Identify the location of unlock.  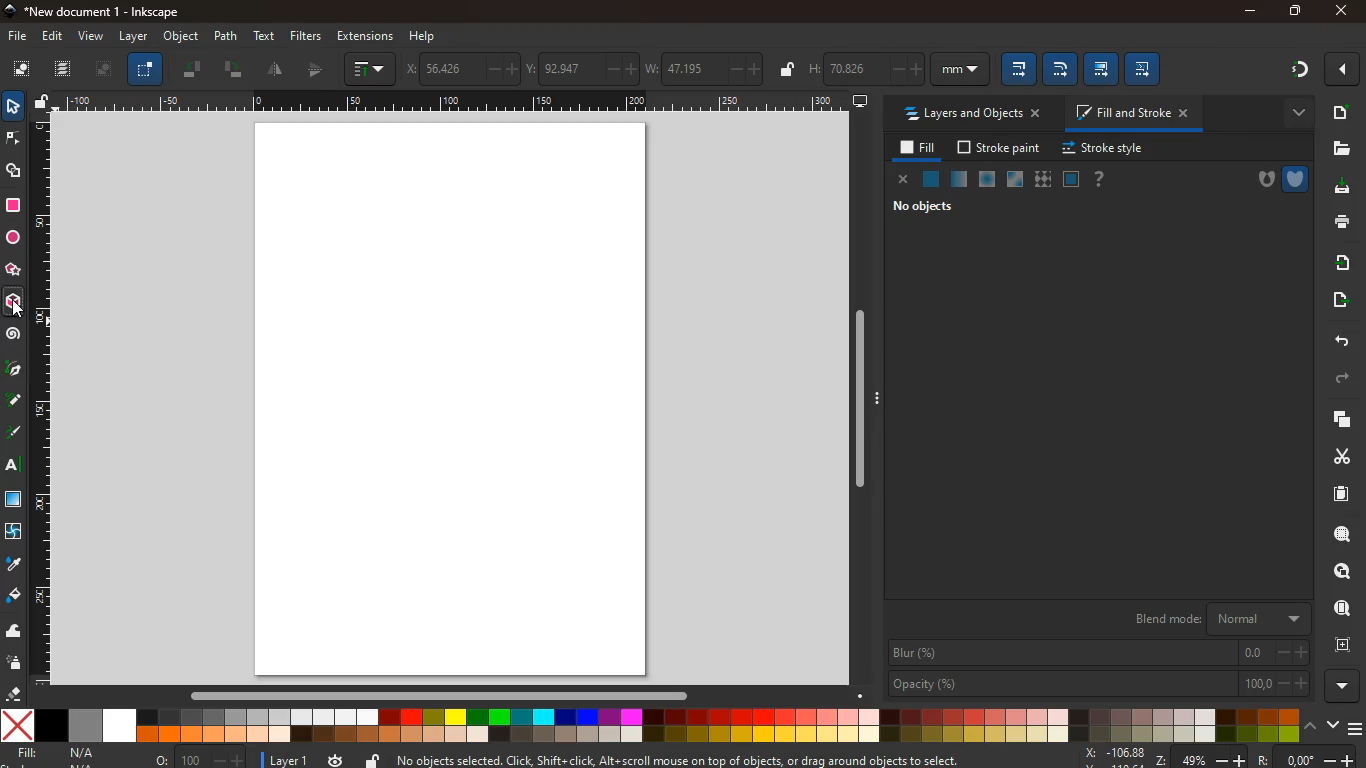
(42, 103).